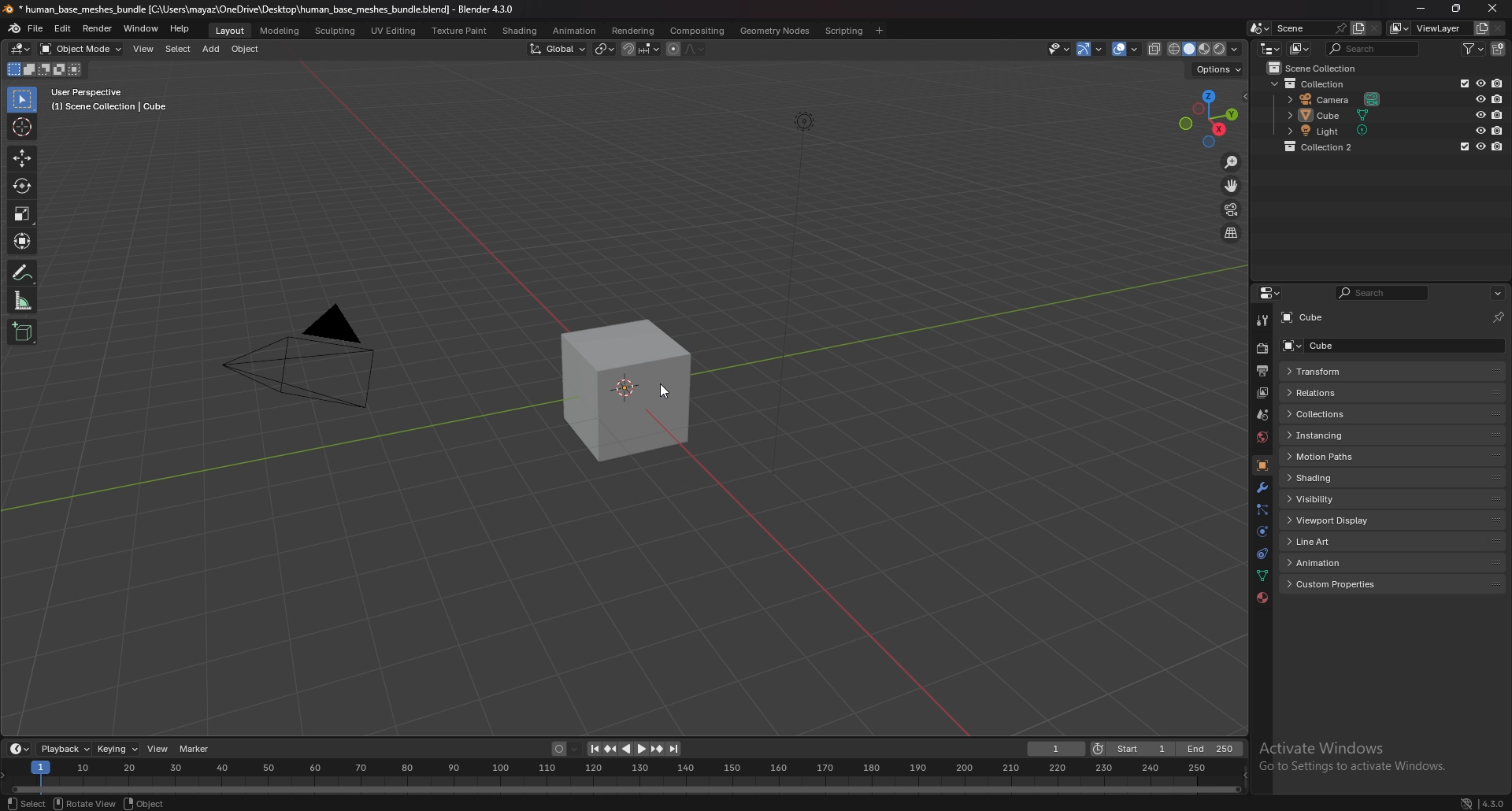 The image size is (1512, 811). Describe the element at coordinates (1480, 98) in the screenshot. I see `hide in viewport` at that location.